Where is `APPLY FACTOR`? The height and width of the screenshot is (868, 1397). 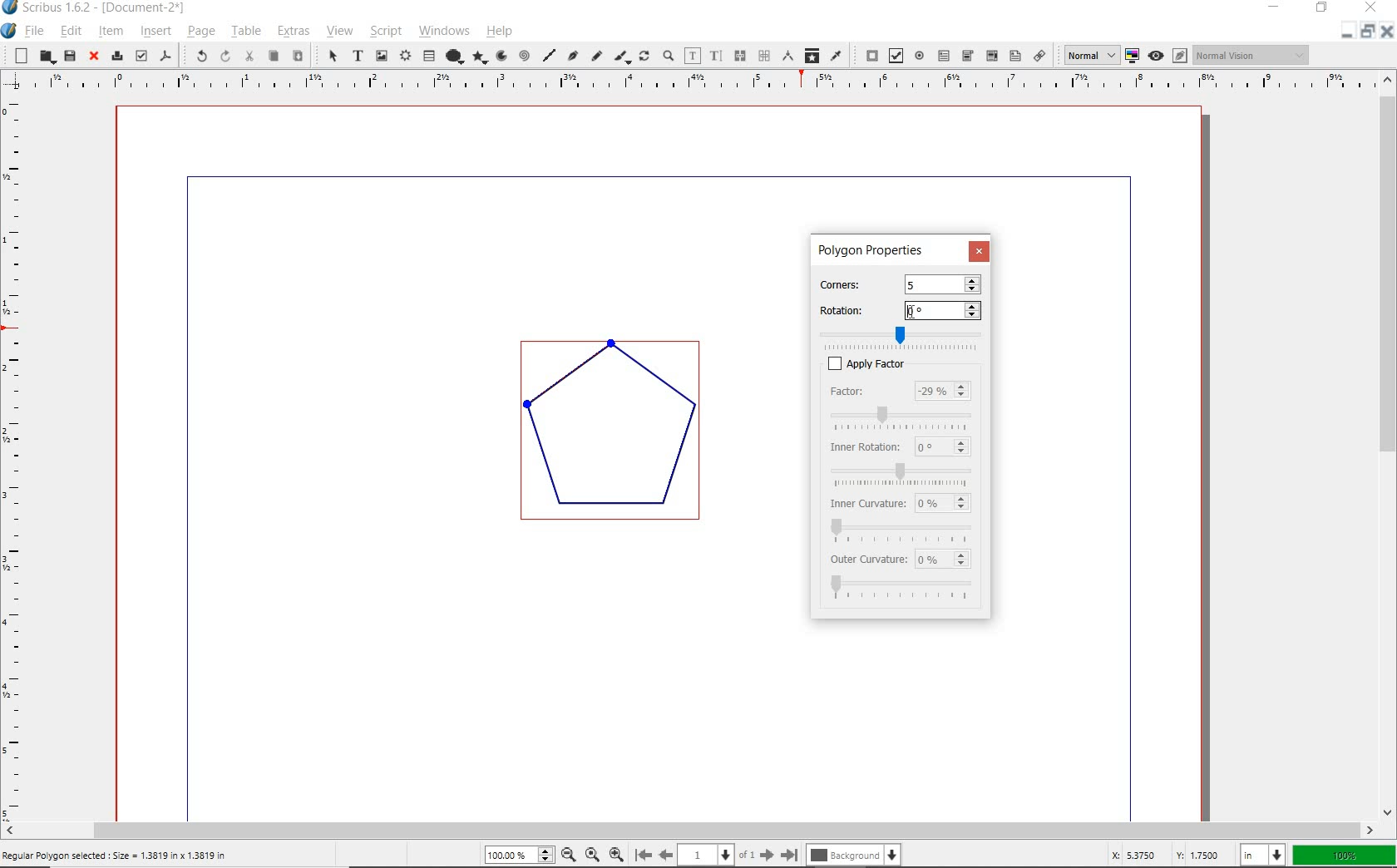
APPLY FACTOR is located at coordinates (918, 362).